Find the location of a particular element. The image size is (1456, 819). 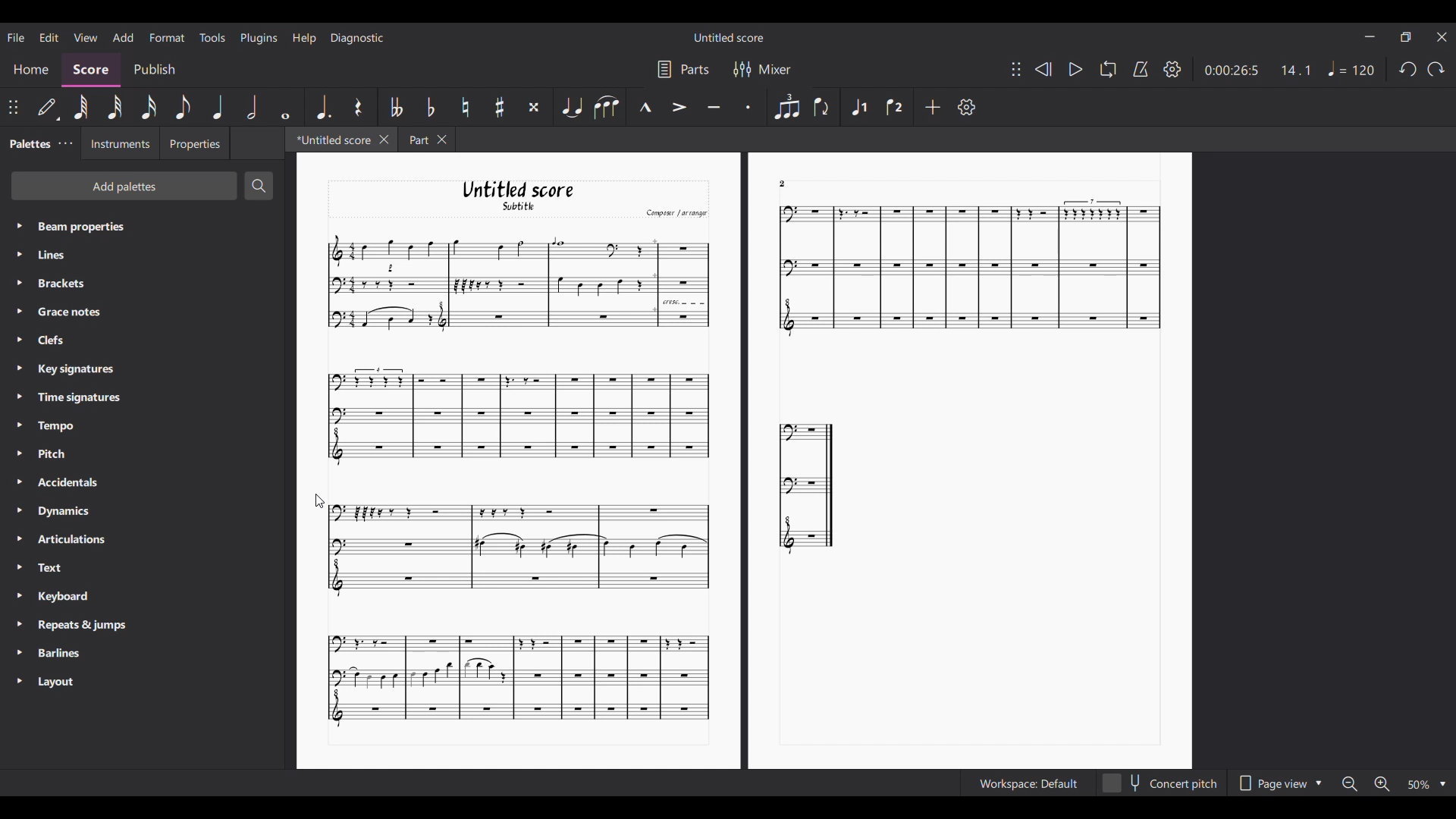

Marcato is located at coordinates (645, 108).